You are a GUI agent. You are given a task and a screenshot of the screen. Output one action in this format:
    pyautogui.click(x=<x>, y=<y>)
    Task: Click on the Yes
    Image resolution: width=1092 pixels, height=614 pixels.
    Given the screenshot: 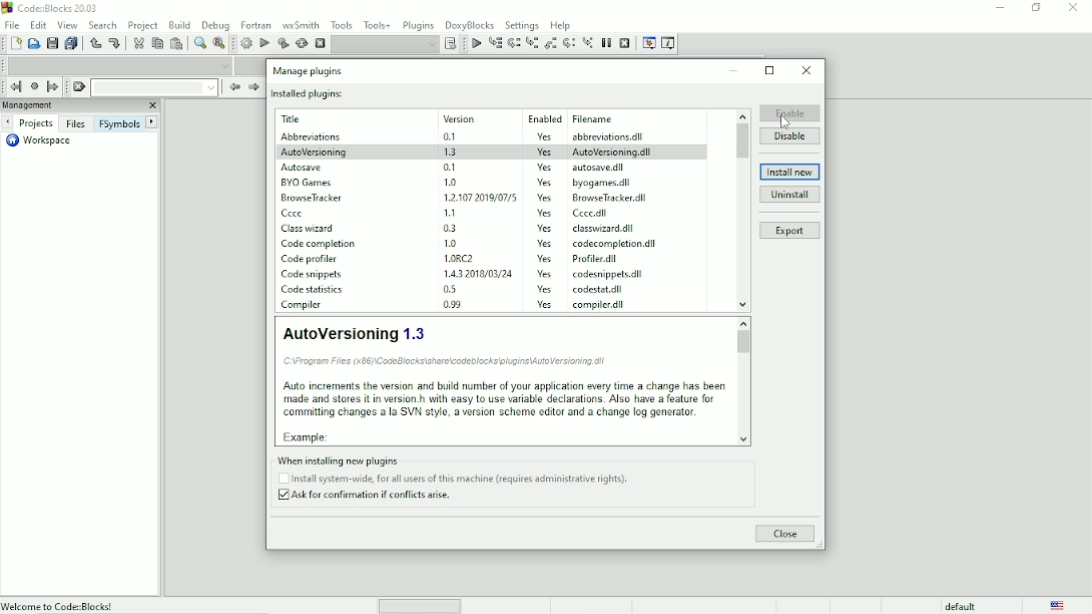 What is the action you would take?
    pyautogui.click(x=544, y=136)
    